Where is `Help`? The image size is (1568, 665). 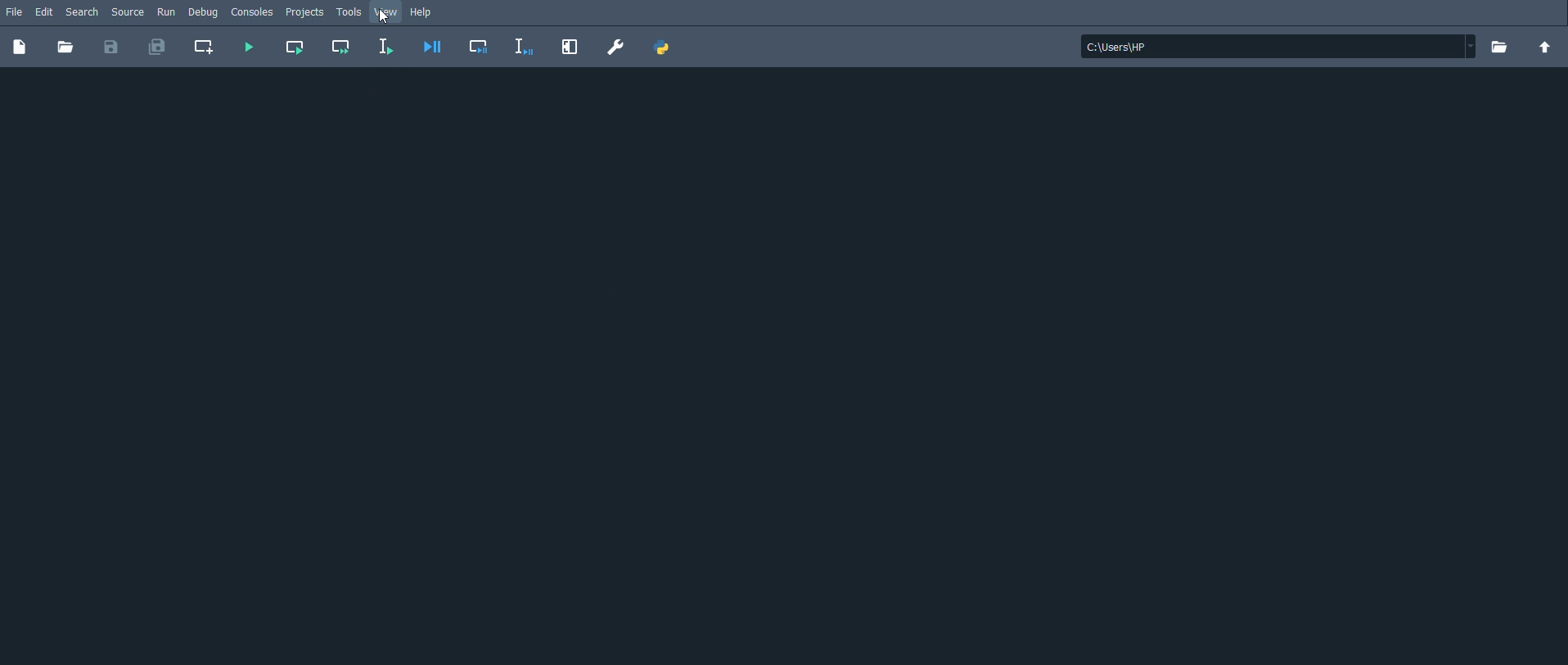 Help is located at coordinates (429, 12).